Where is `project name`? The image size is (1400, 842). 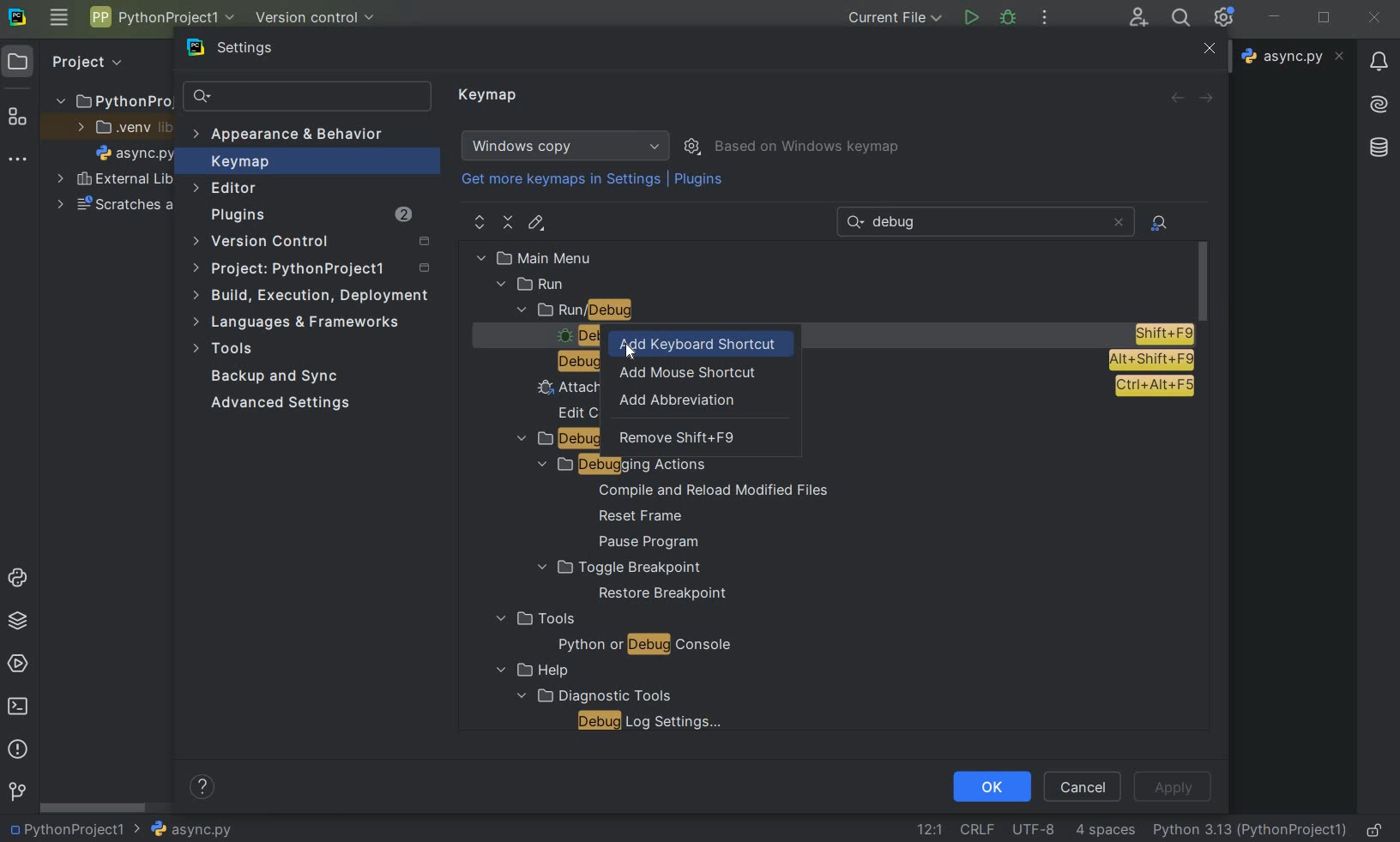
project name is located at coordinates (160, 17).